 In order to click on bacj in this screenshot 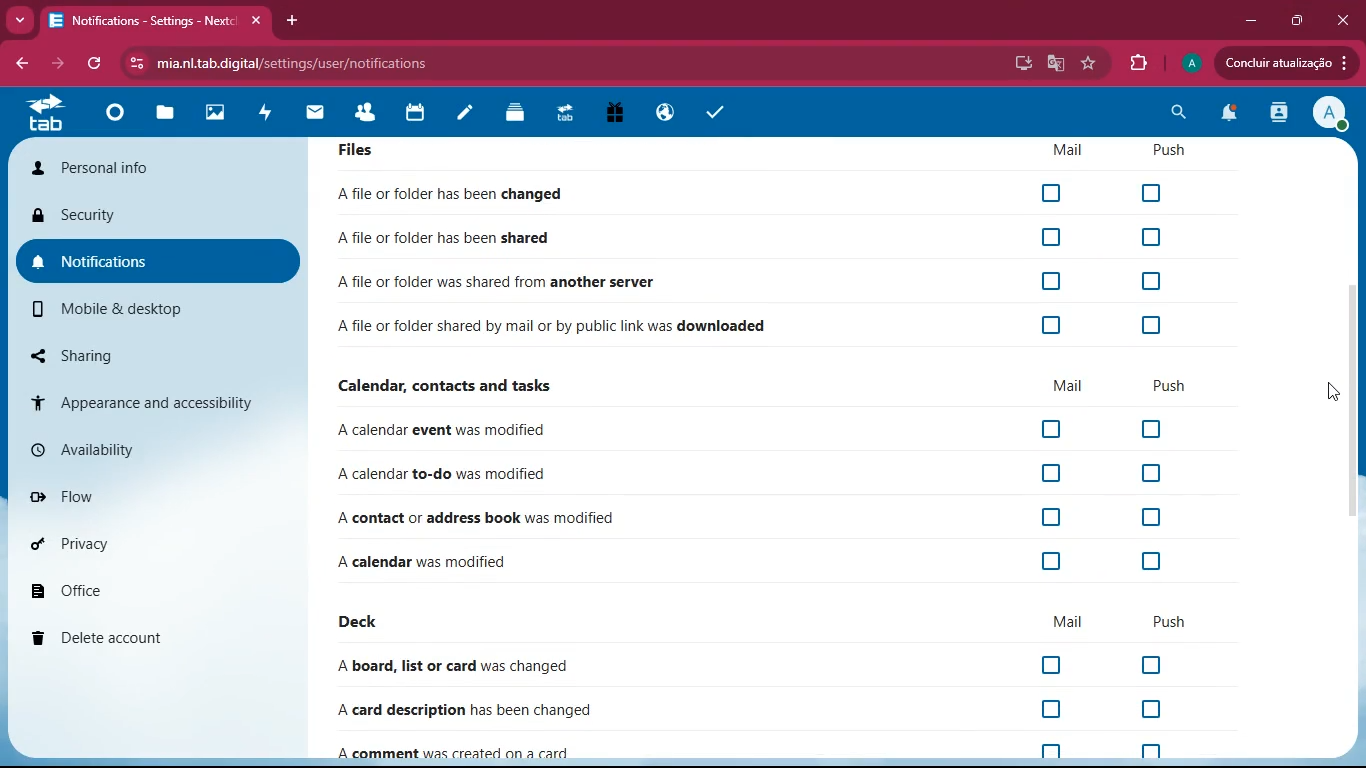, I will do `click(20, 66)`.